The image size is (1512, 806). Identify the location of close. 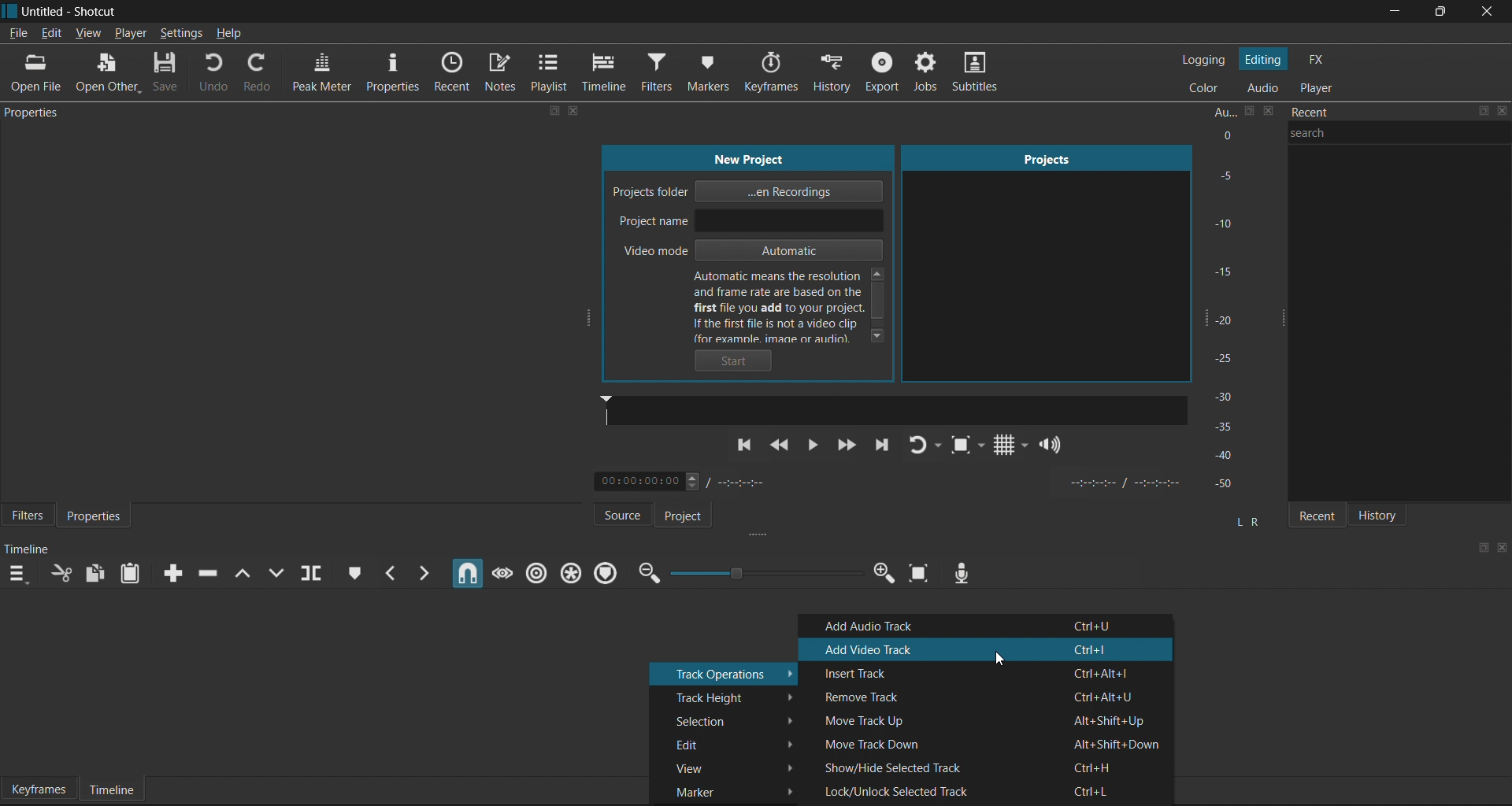
(1485, 13).